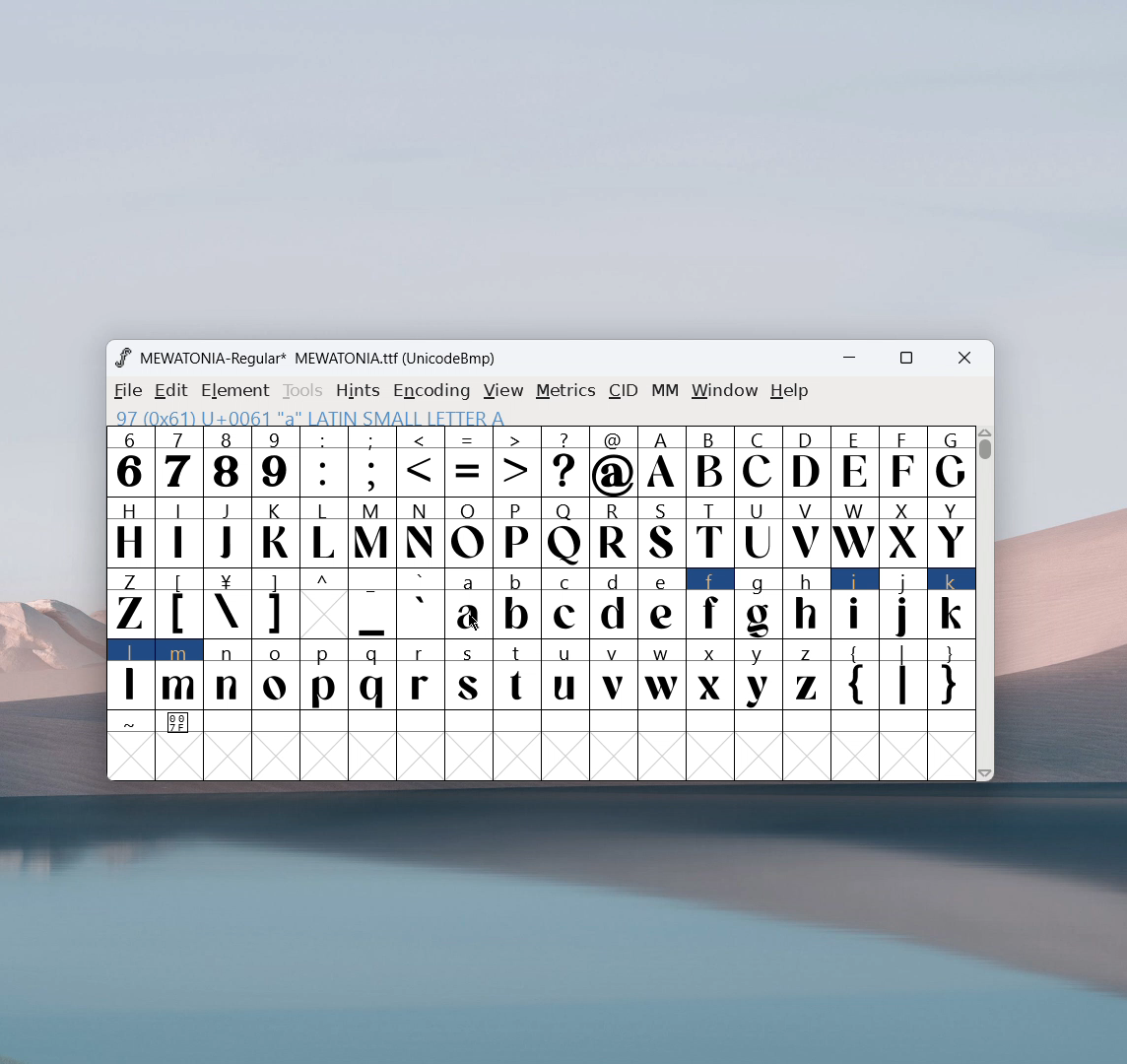 The image size is (1127, 1064). What do you see at coordinates (372, 462) in the screenshot?
I see `;` at bounding box center [372, 462].